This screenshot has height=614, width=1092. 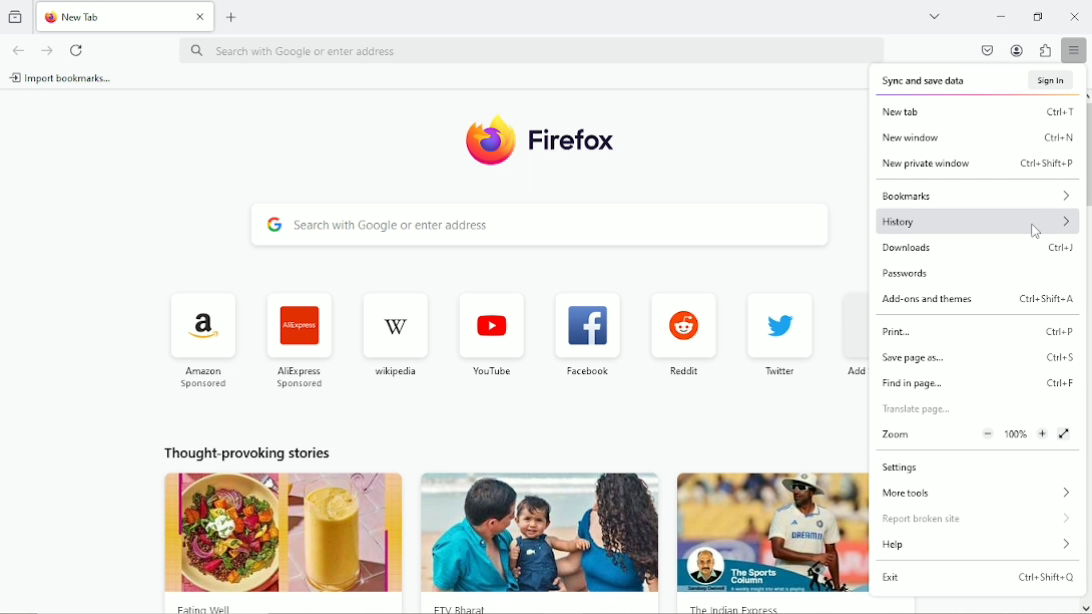 I want to click on icon, so click(x=297, y=328).